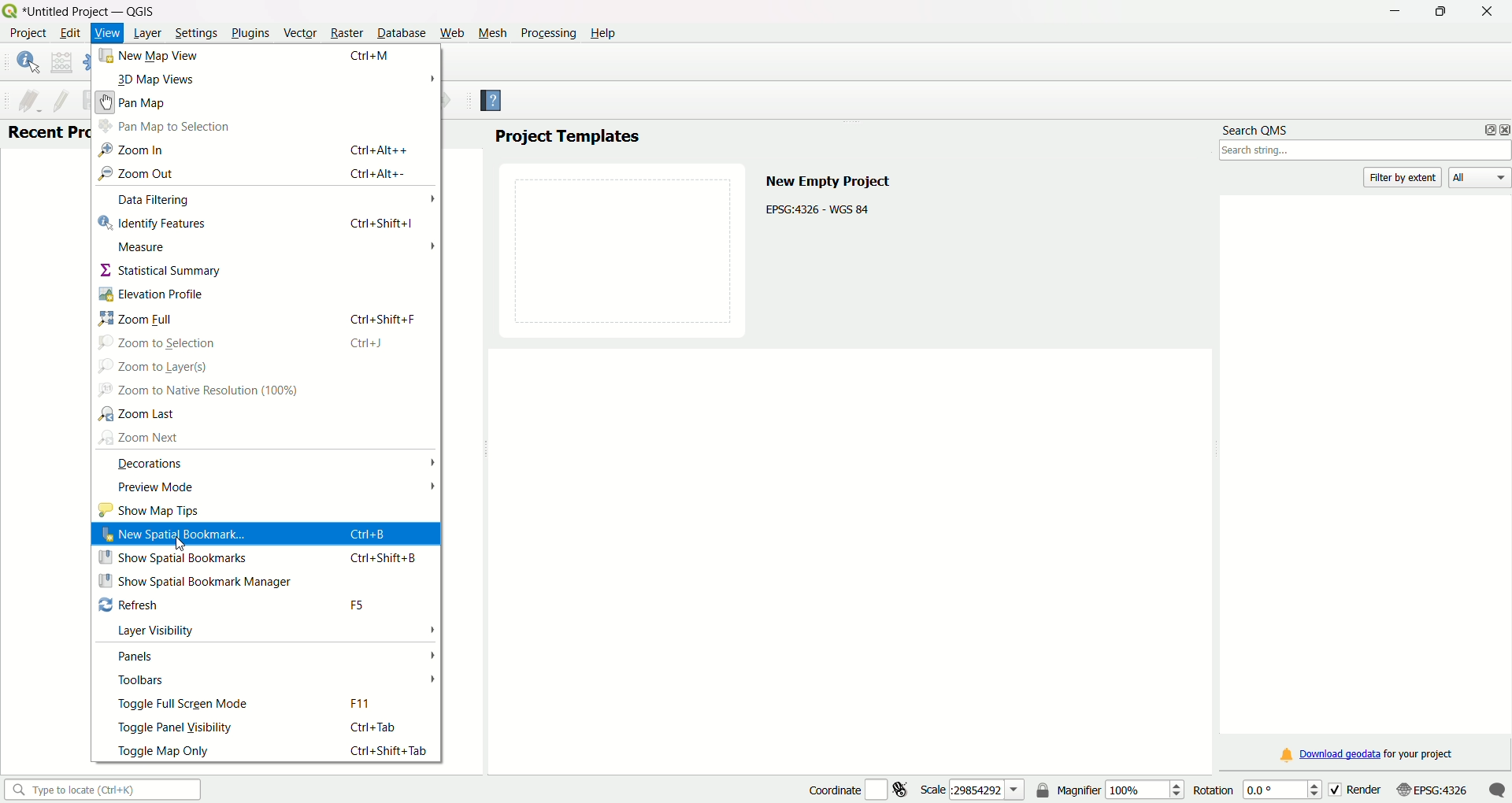 This screenshot has height=803, width=1512. Describe the element at coordinates (547, 32) in the screenshot. I see `Processing` at that location.